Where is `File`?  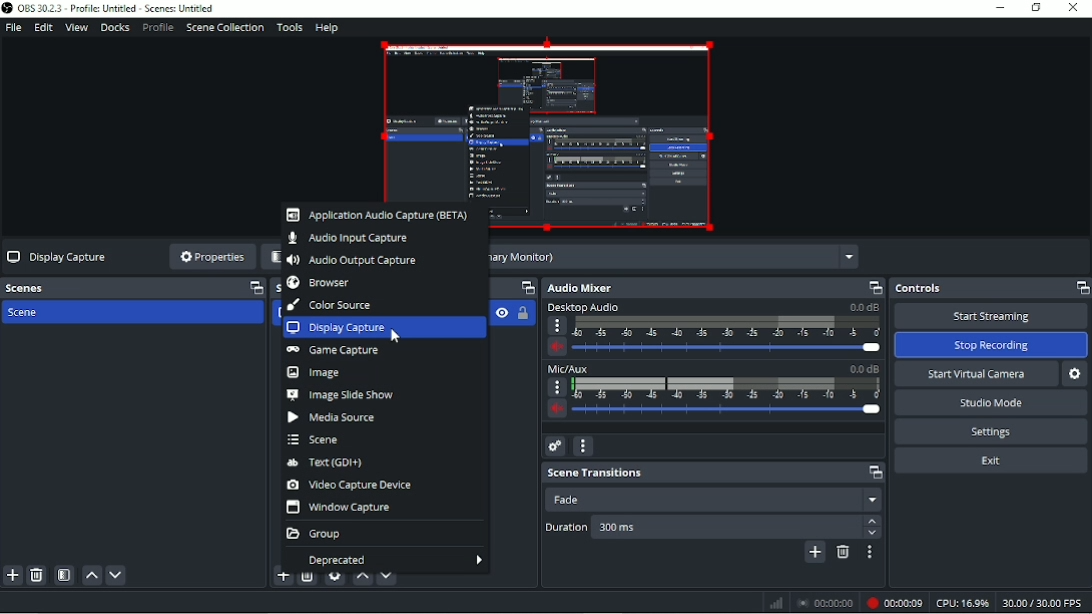
File is located at coordinates (14, 28).